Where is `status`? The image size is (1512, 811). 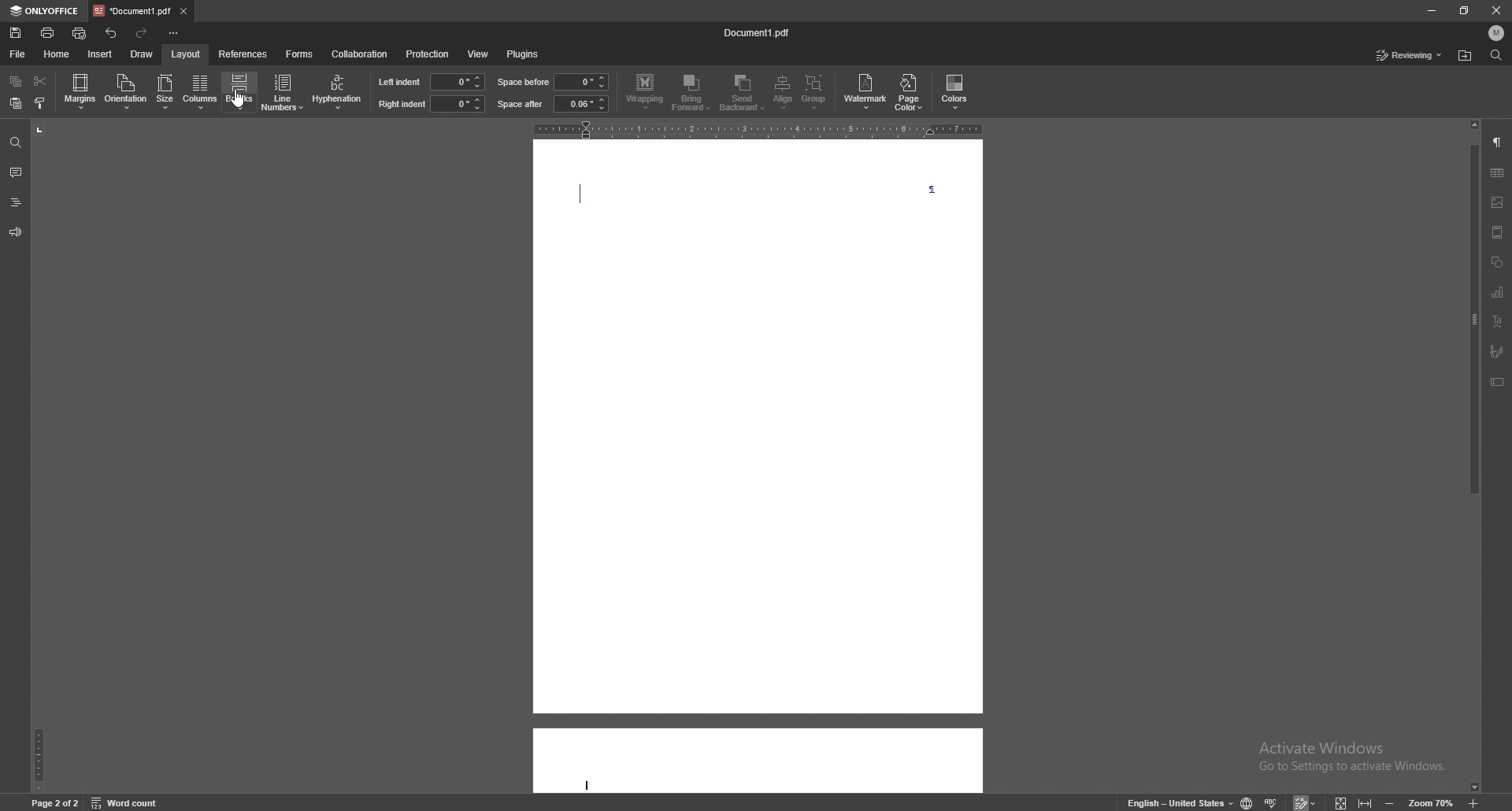
status is located at coordinates (1409, 55).